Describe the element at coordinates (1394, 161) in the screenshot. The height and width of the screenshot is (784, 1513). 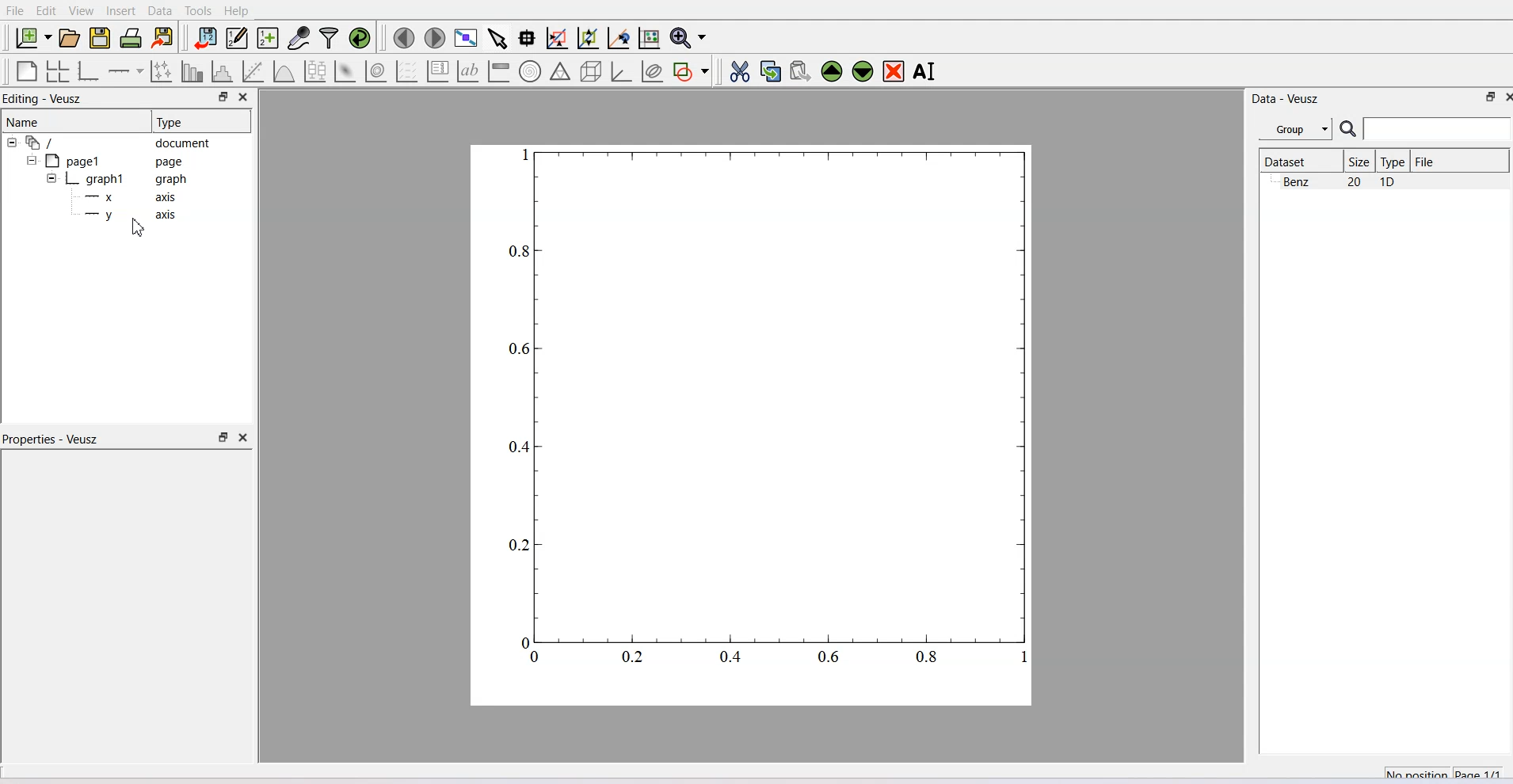
I see `Type` at that location.